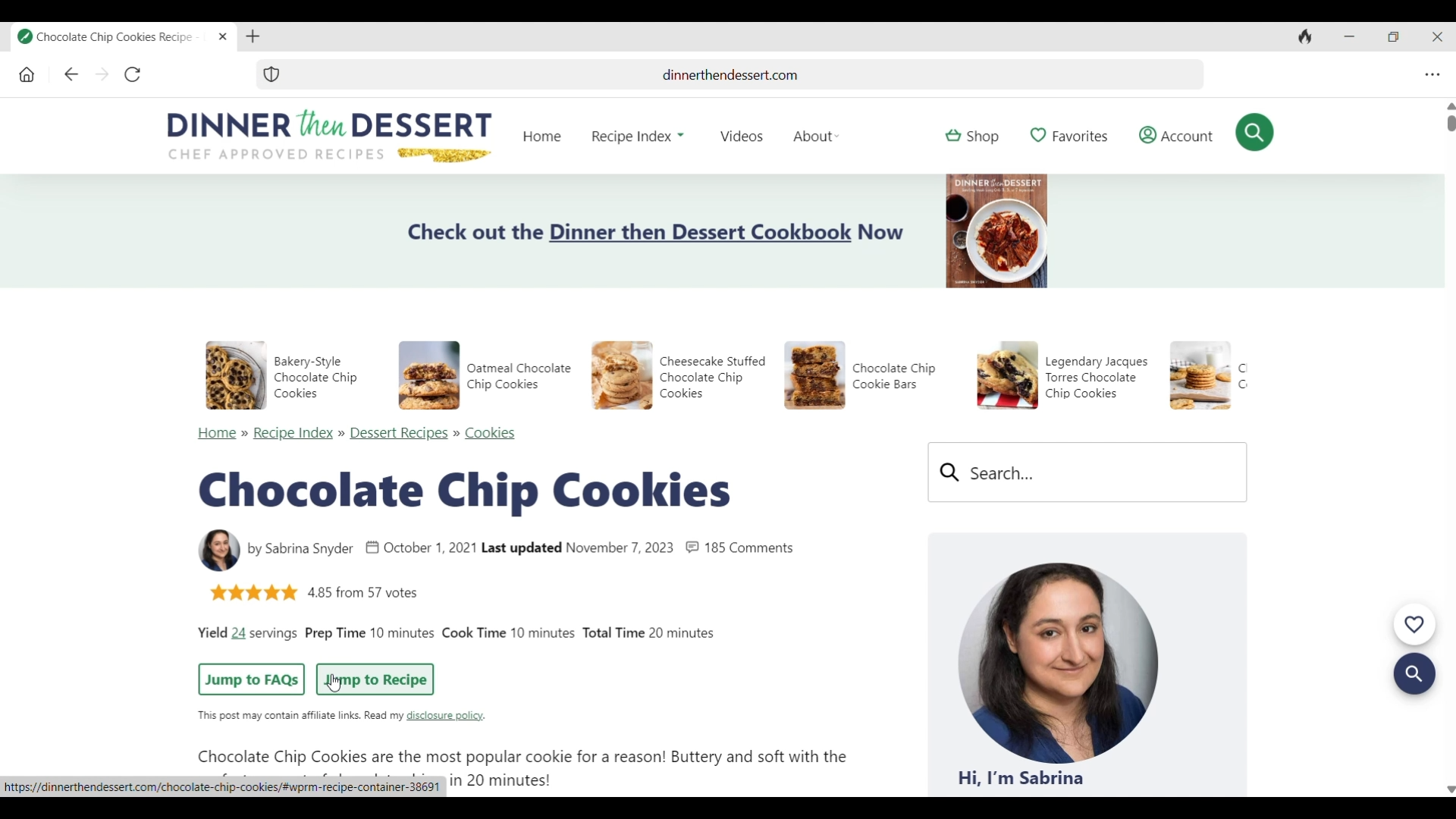 This screenshot has width=1456, height=819. I want to click on Go back, so click(71, 75).